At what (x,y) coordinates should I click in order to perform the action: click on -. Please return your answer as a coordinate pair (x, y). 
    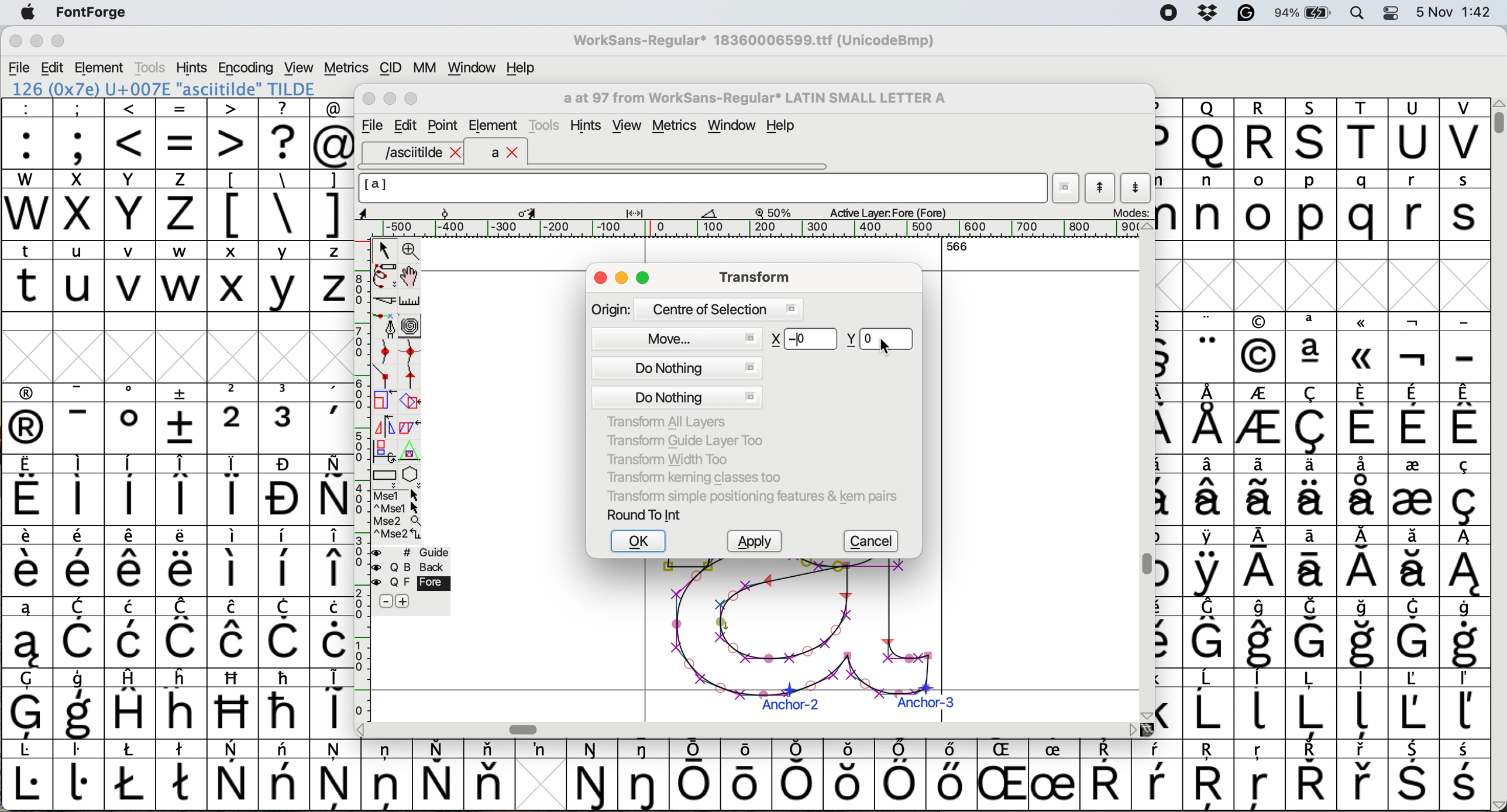
    Looking at the image, I should click on (1465, 349).